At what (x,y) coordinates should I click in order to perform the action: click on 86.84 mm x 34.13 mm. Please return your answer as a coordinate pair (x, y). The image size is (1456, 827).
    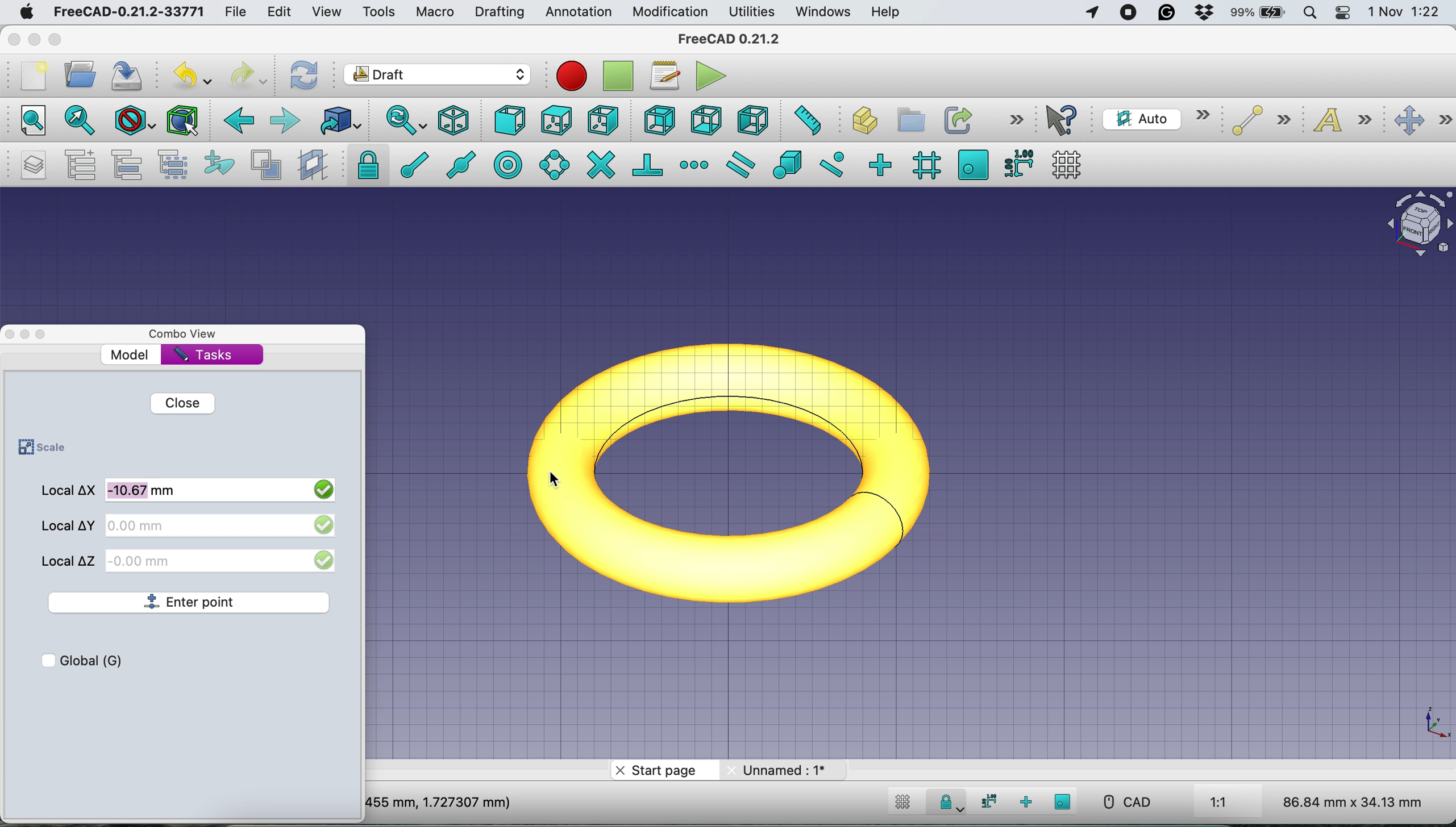
    Looking at the image, I should click on (1354, 801).